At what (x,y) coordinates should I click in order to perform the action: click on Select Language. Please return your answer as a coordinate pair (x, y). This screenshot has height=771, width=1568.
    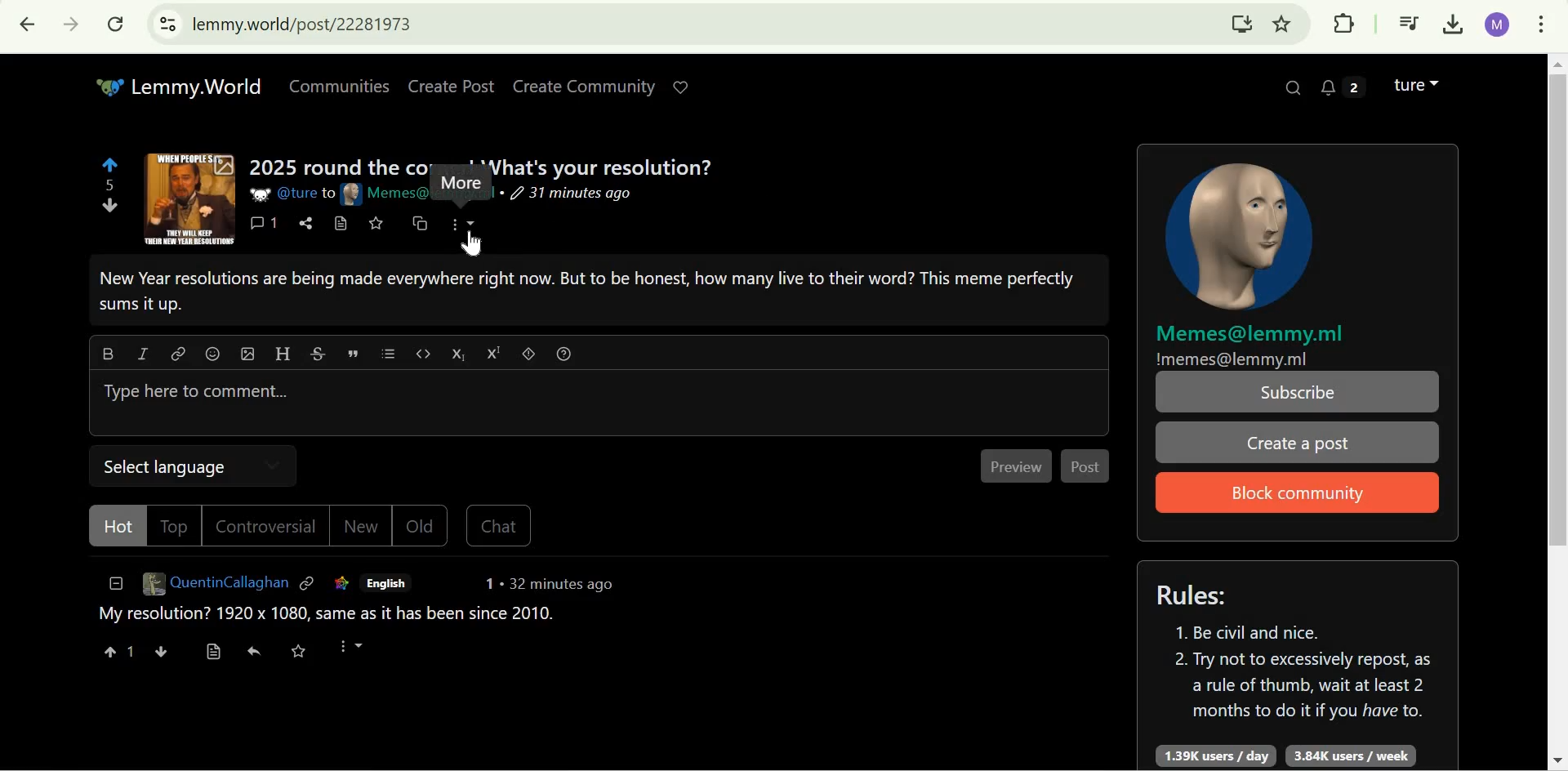
    Looking at the image, I should click on (196, 469).